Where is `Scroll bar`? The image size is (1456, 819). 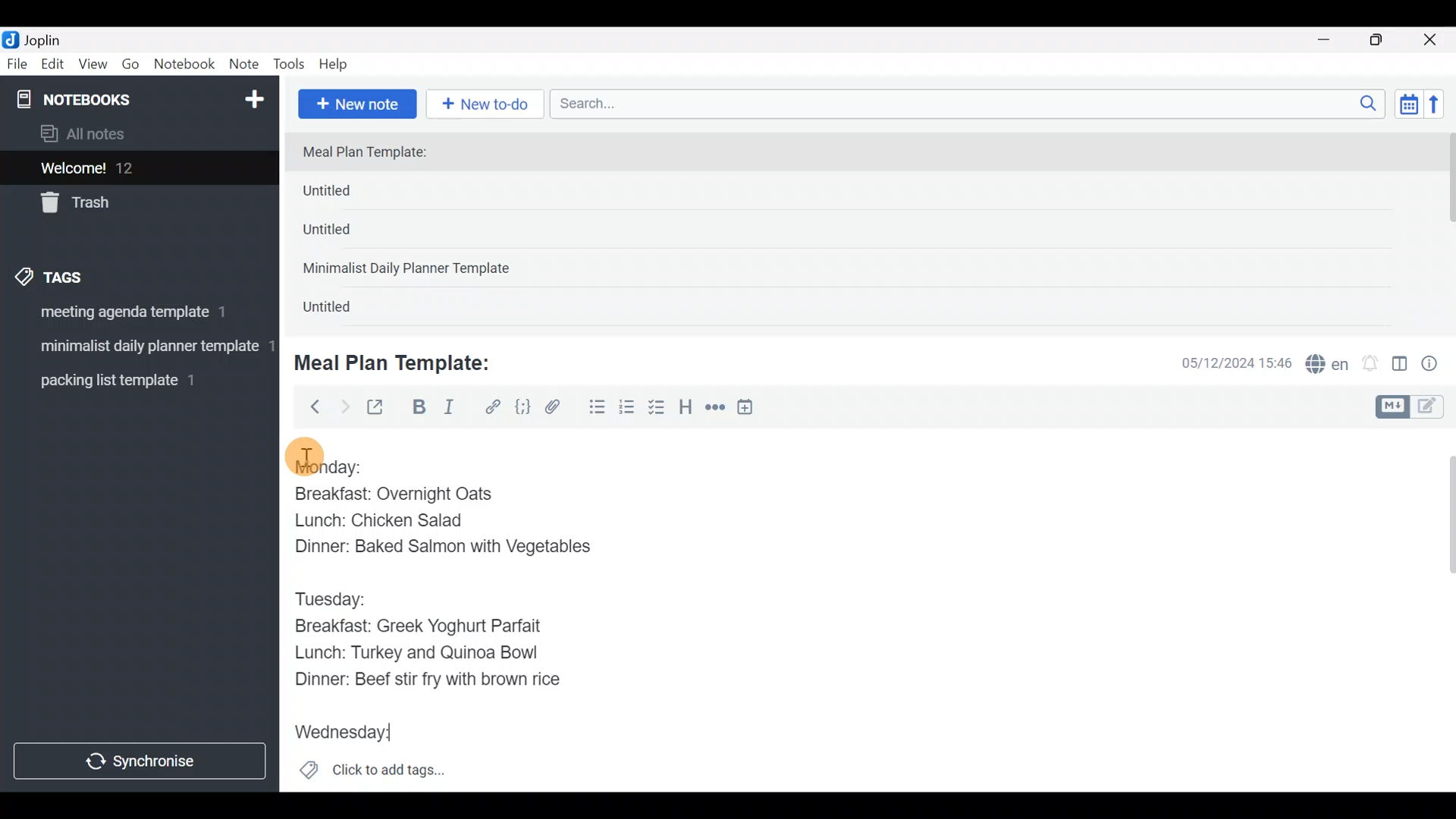
Scroll bar is located at coordinates (1440, 610).